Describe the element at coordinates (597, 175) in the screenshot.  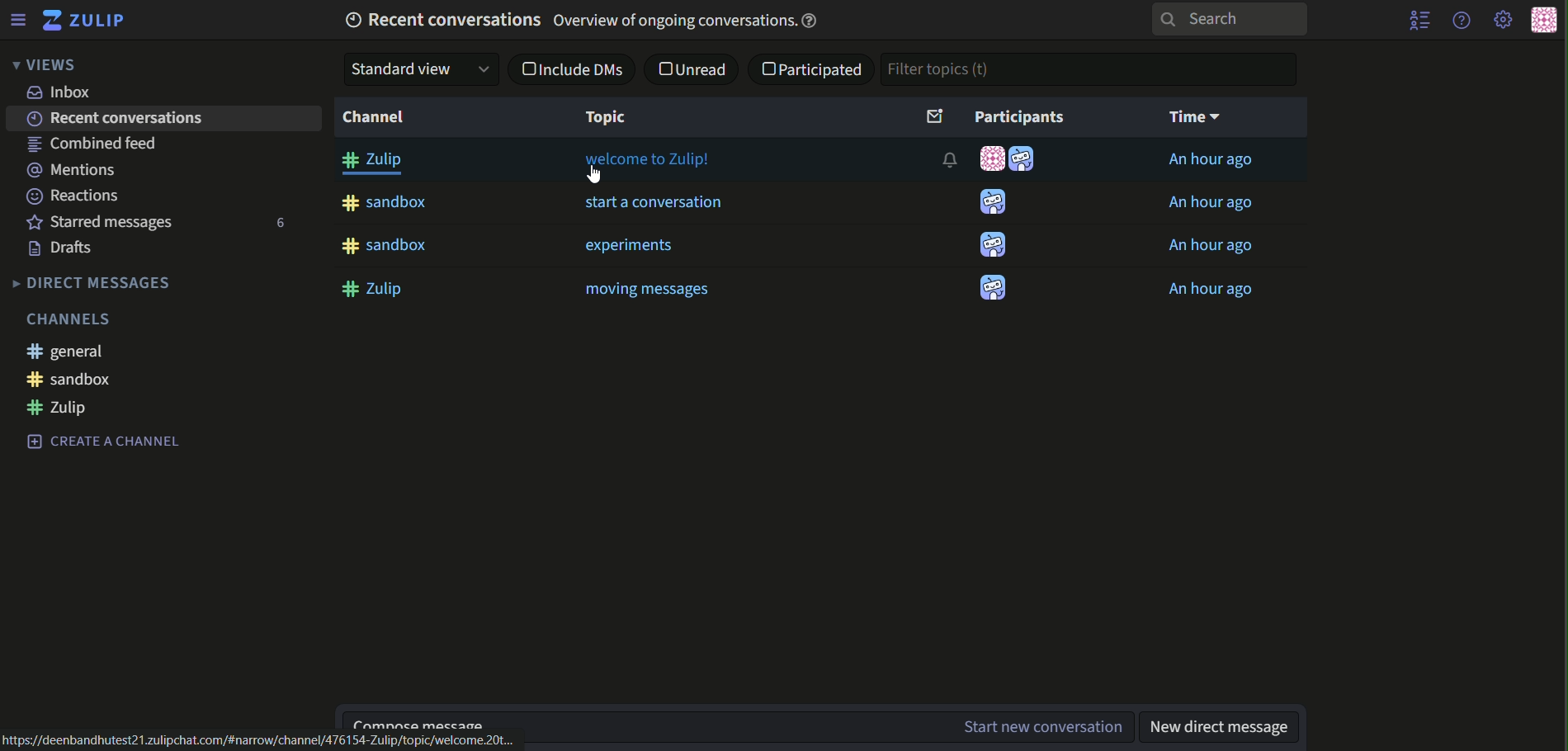
I see `Cursor` at that location.